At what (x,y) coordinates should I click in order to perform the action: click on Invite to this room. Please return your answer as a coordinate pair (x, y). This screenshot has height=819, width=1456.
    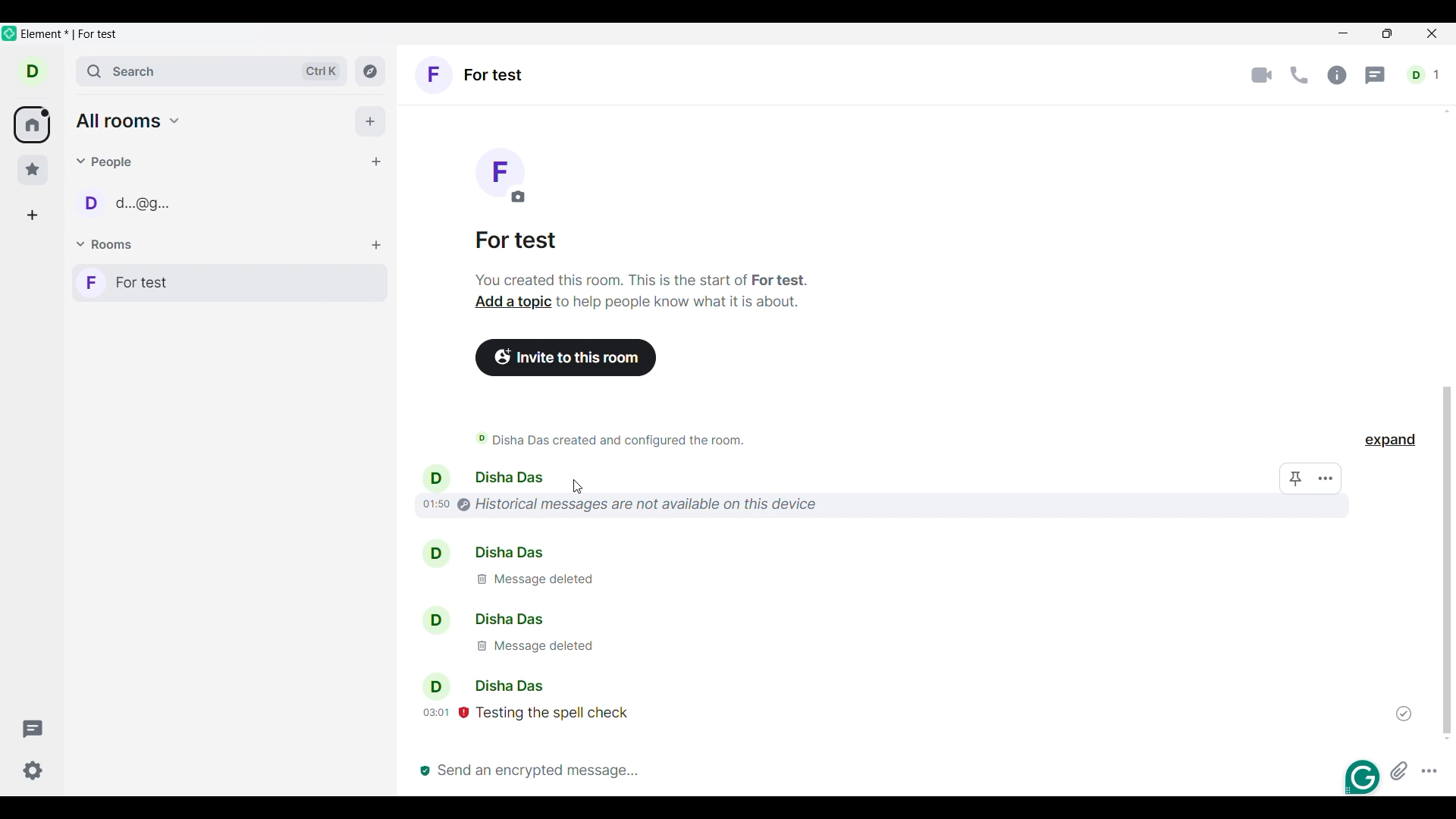
    Looking at the image, I should click on (567, 358).